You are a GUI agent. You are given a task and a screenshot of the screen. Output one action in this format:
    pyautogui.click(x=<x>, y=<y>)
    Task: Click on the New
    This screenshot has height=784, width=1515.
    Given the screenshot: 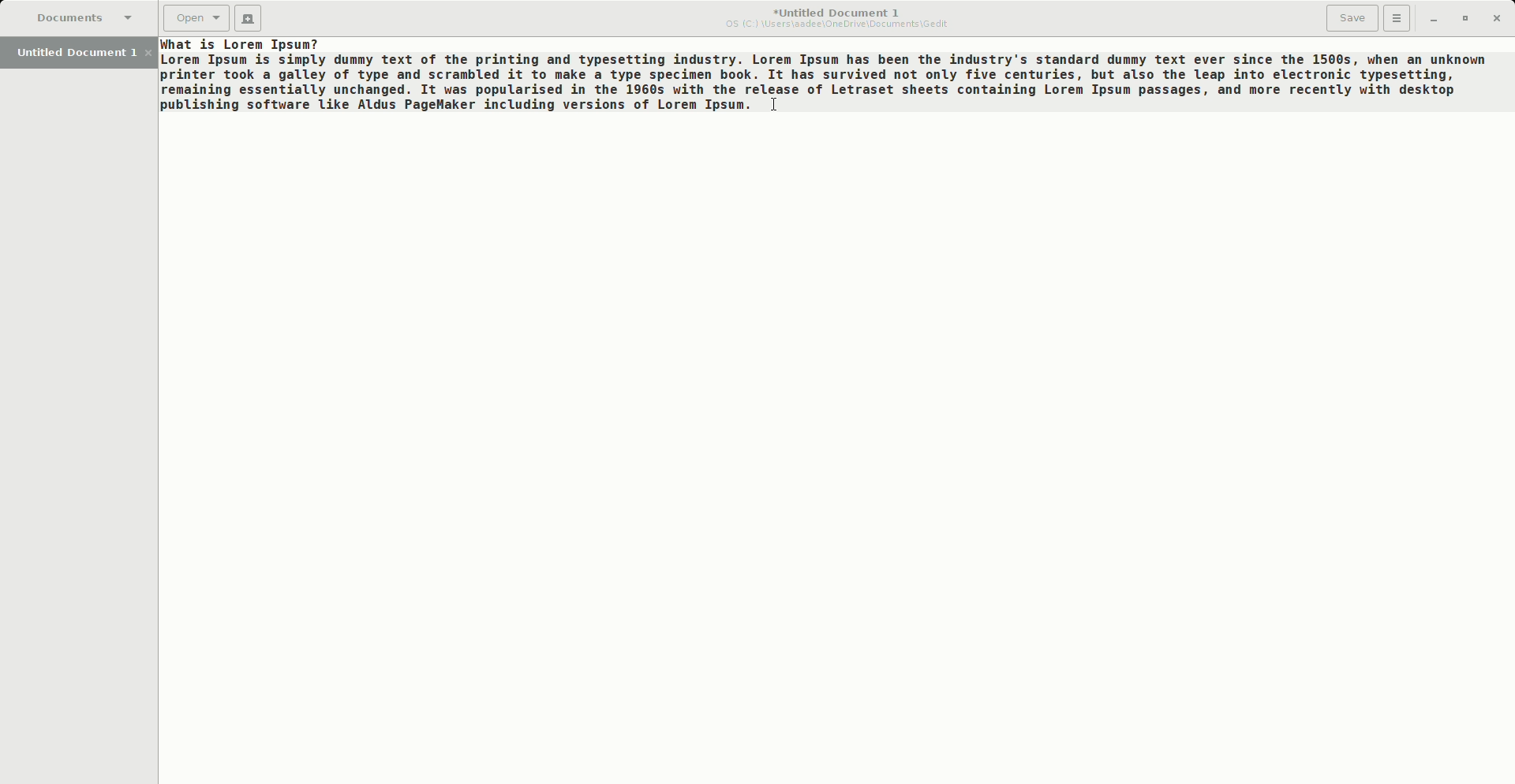 What is the action you would take?
    pyautogui.click(x=250, y=21)
    